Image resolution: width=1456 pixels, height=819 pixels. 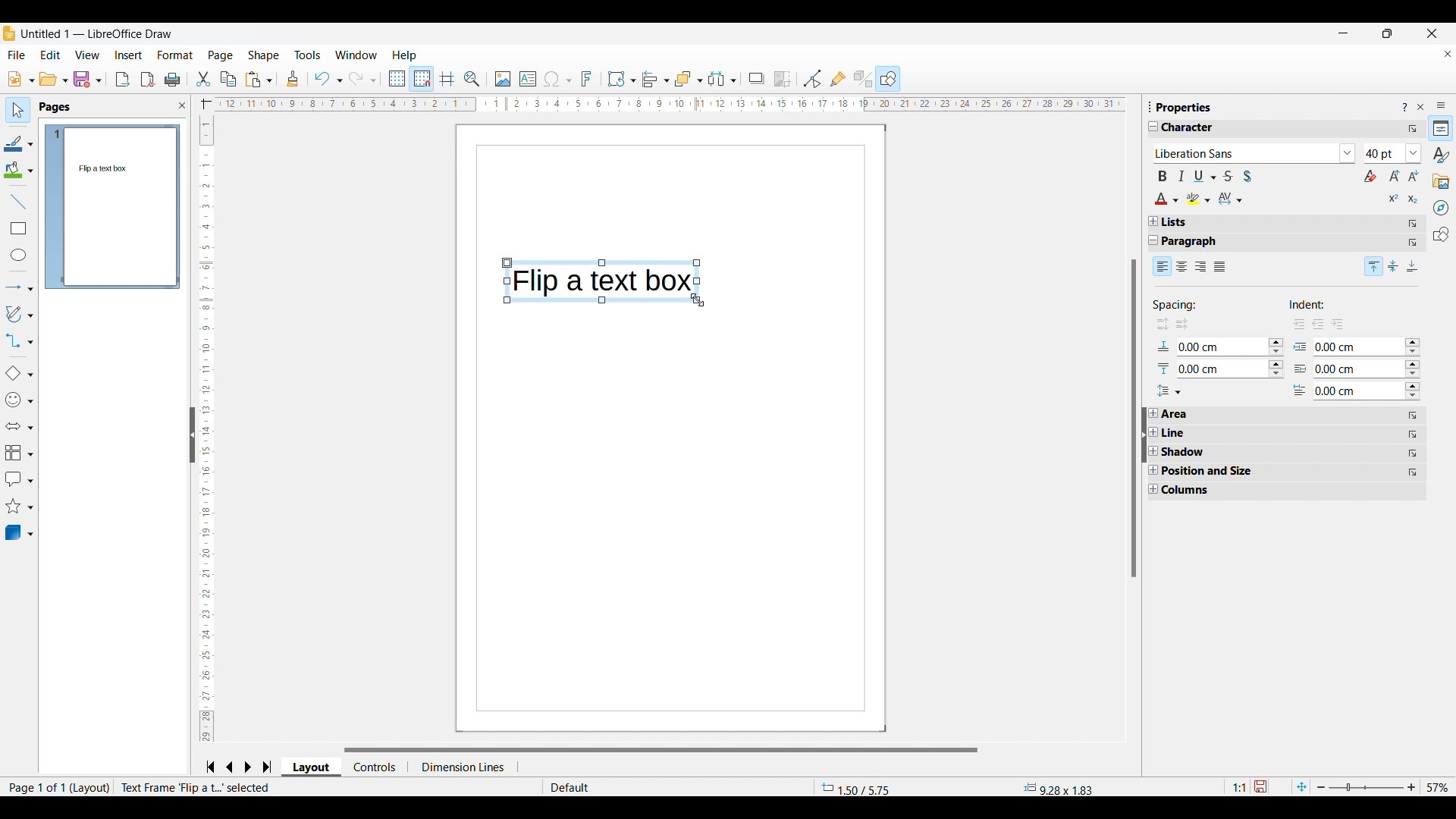 What do you see at coordinates (1442, 182) in the screenshot?
I see `Gallery` at bounding box center [1442, 182].